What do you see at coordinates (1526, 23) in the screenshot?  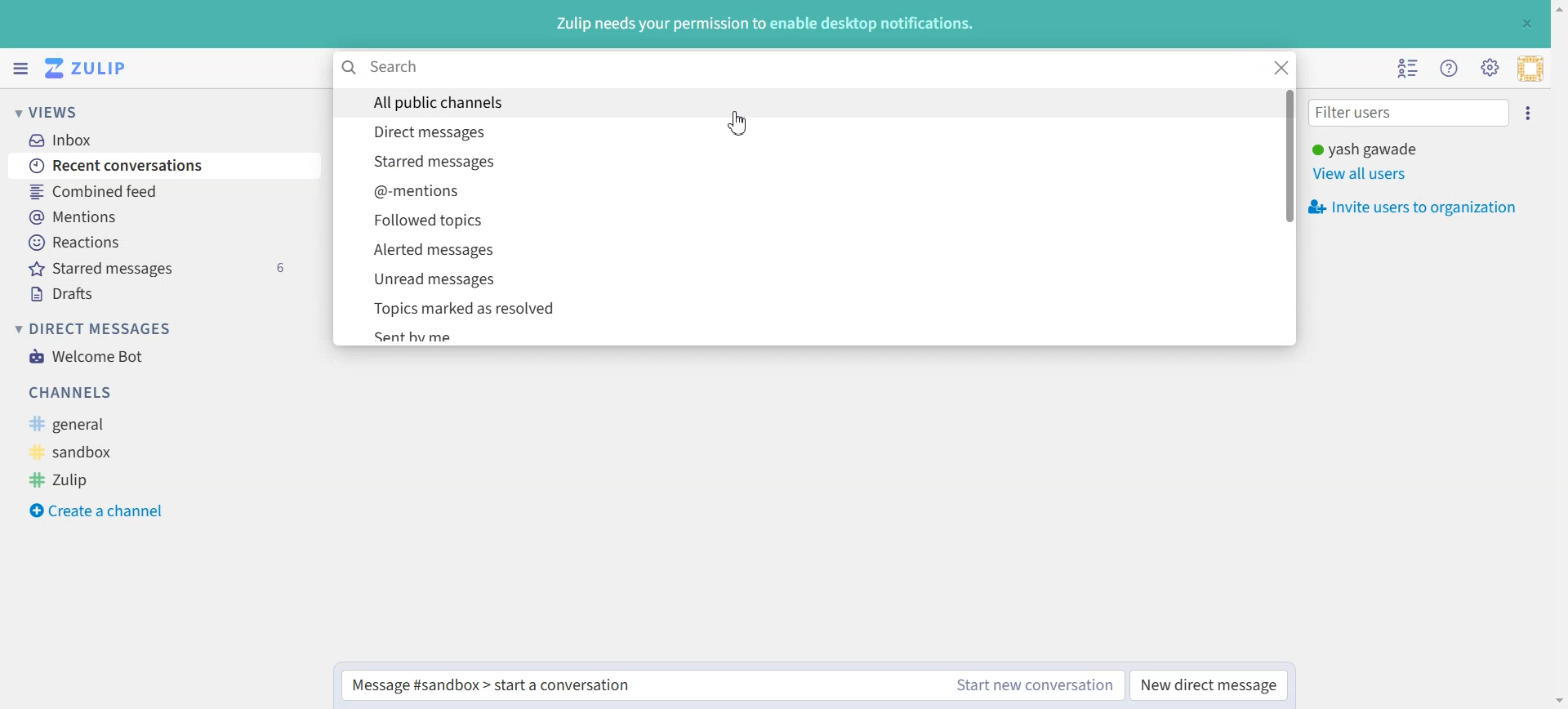 I see `Close` at bounding box center [1526, 23].